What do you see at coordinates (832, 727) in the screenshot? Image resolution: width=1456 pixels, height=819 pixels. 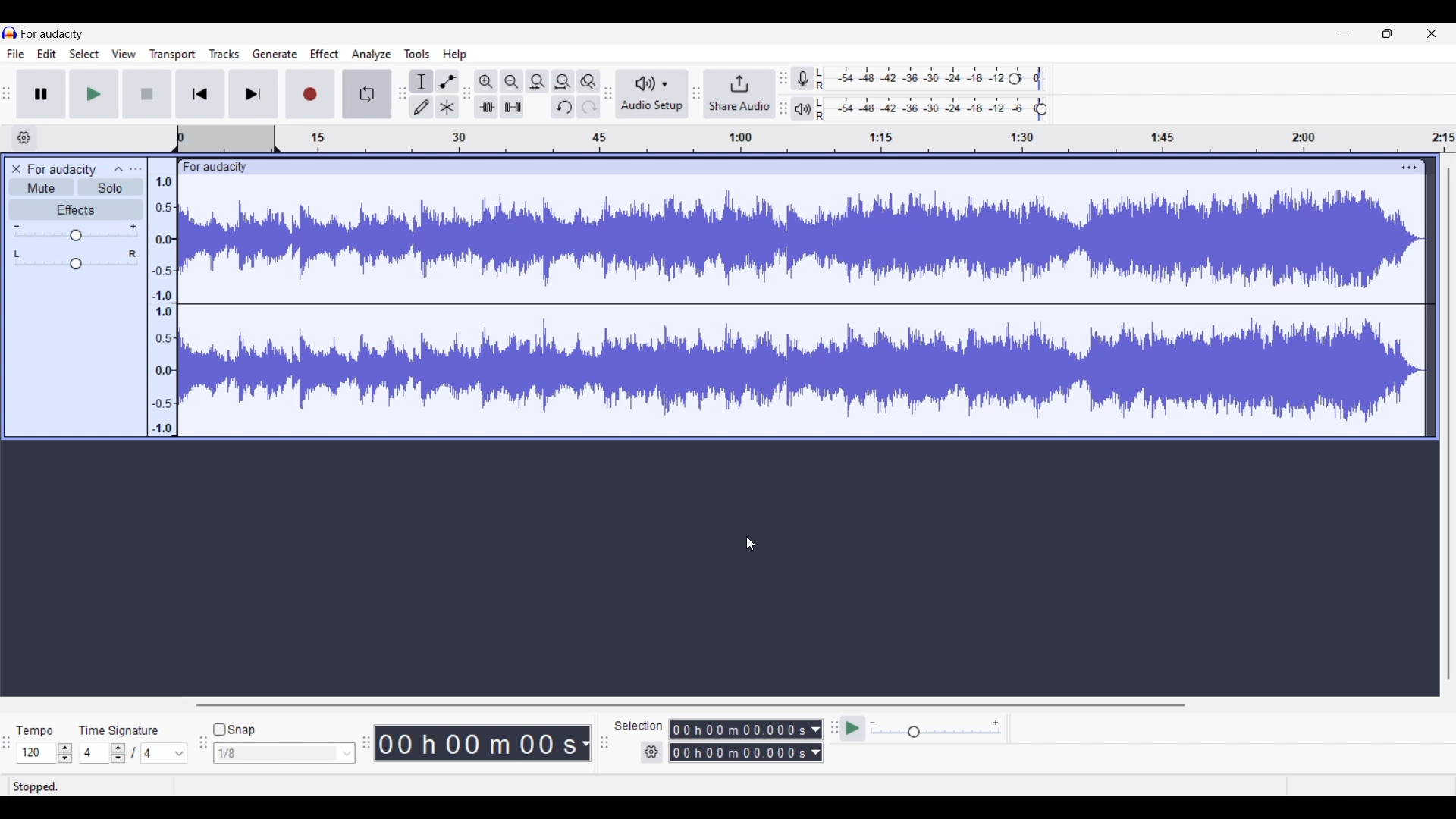 I see `signature time tool bar` at bounding box center [832, 727].